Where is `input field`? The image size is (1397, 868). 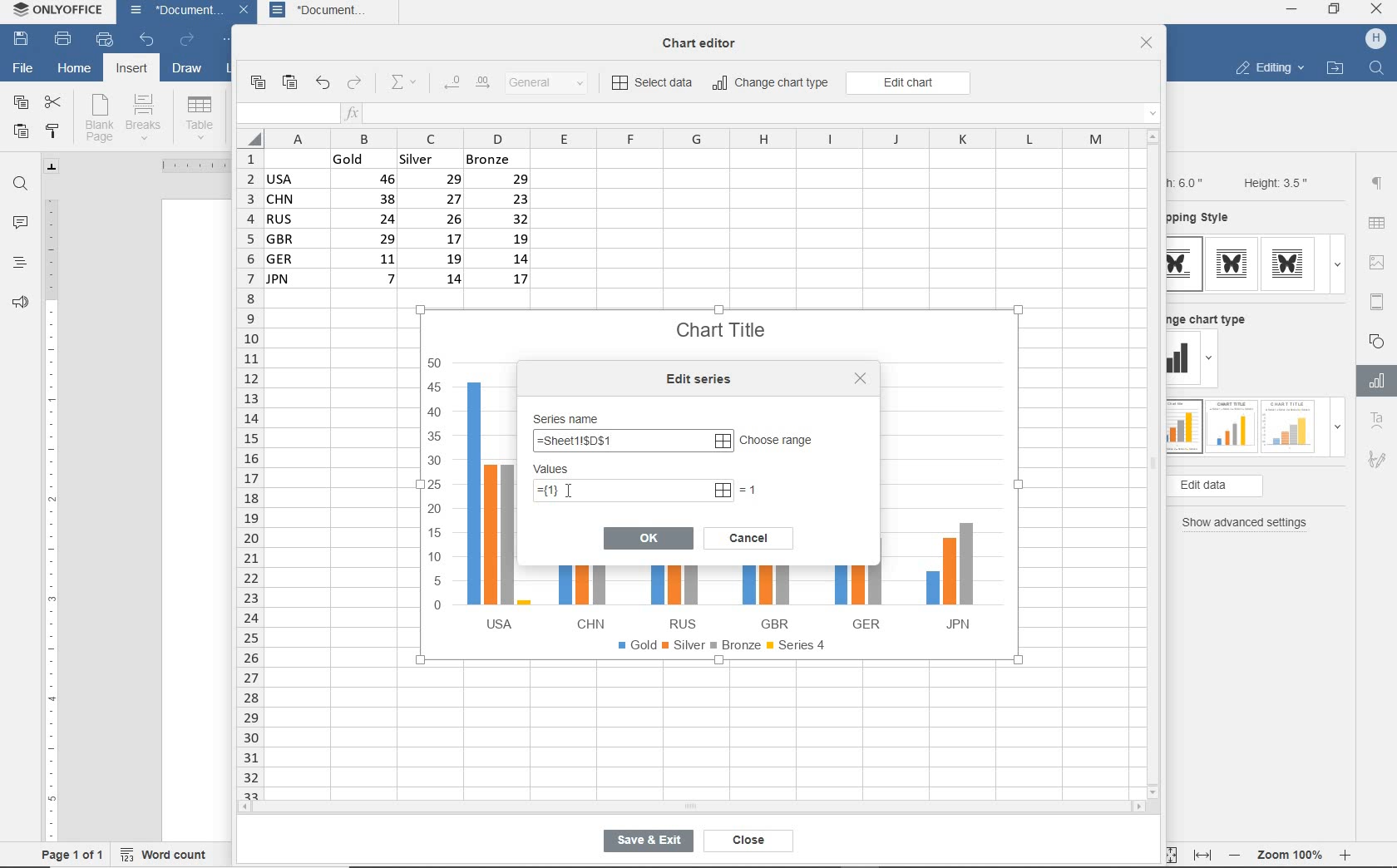
input field is located at coordinates (286, 114).